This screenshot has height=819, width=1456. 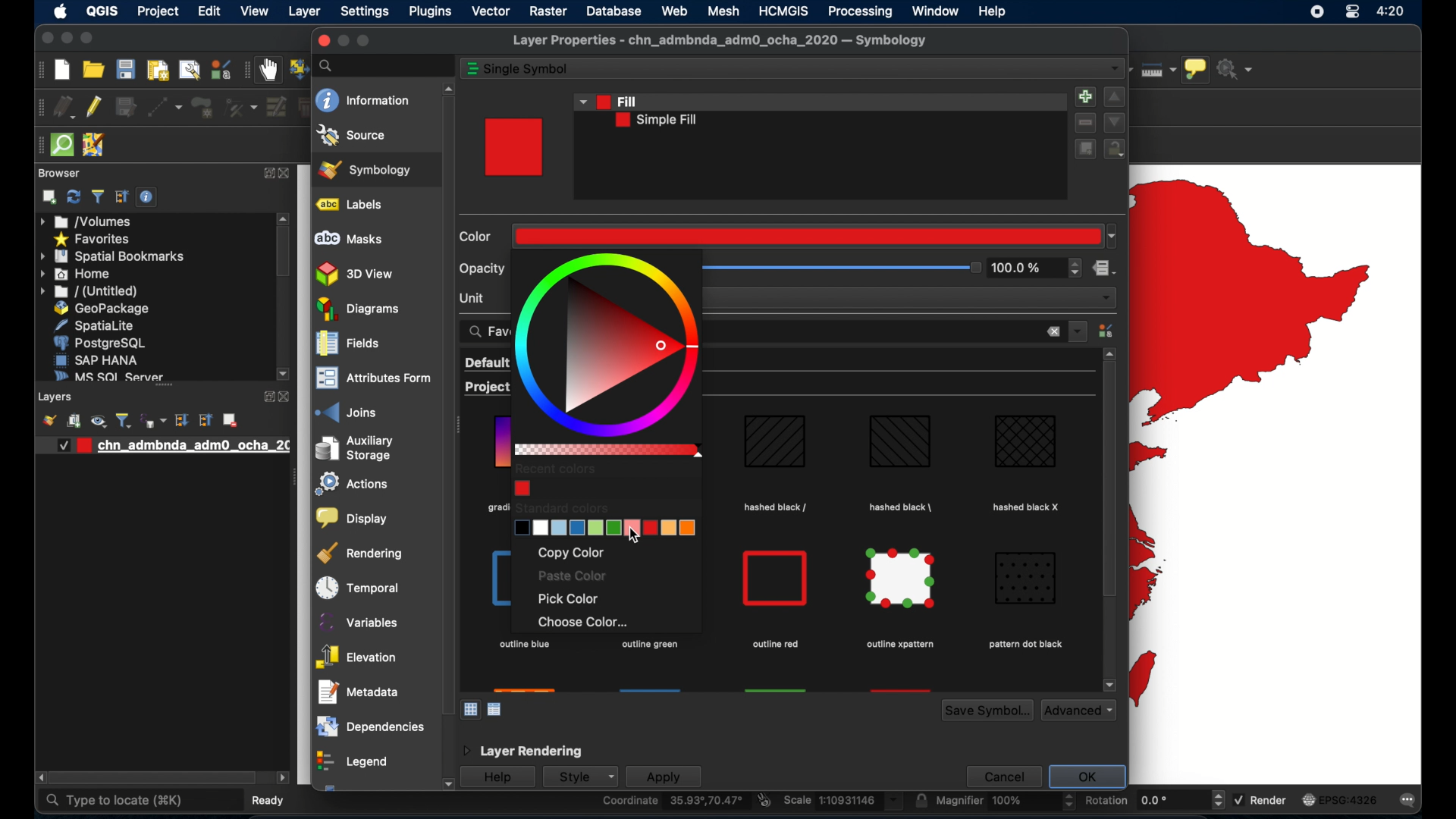 I want to click on QGIS, so click(x=102, y=13).